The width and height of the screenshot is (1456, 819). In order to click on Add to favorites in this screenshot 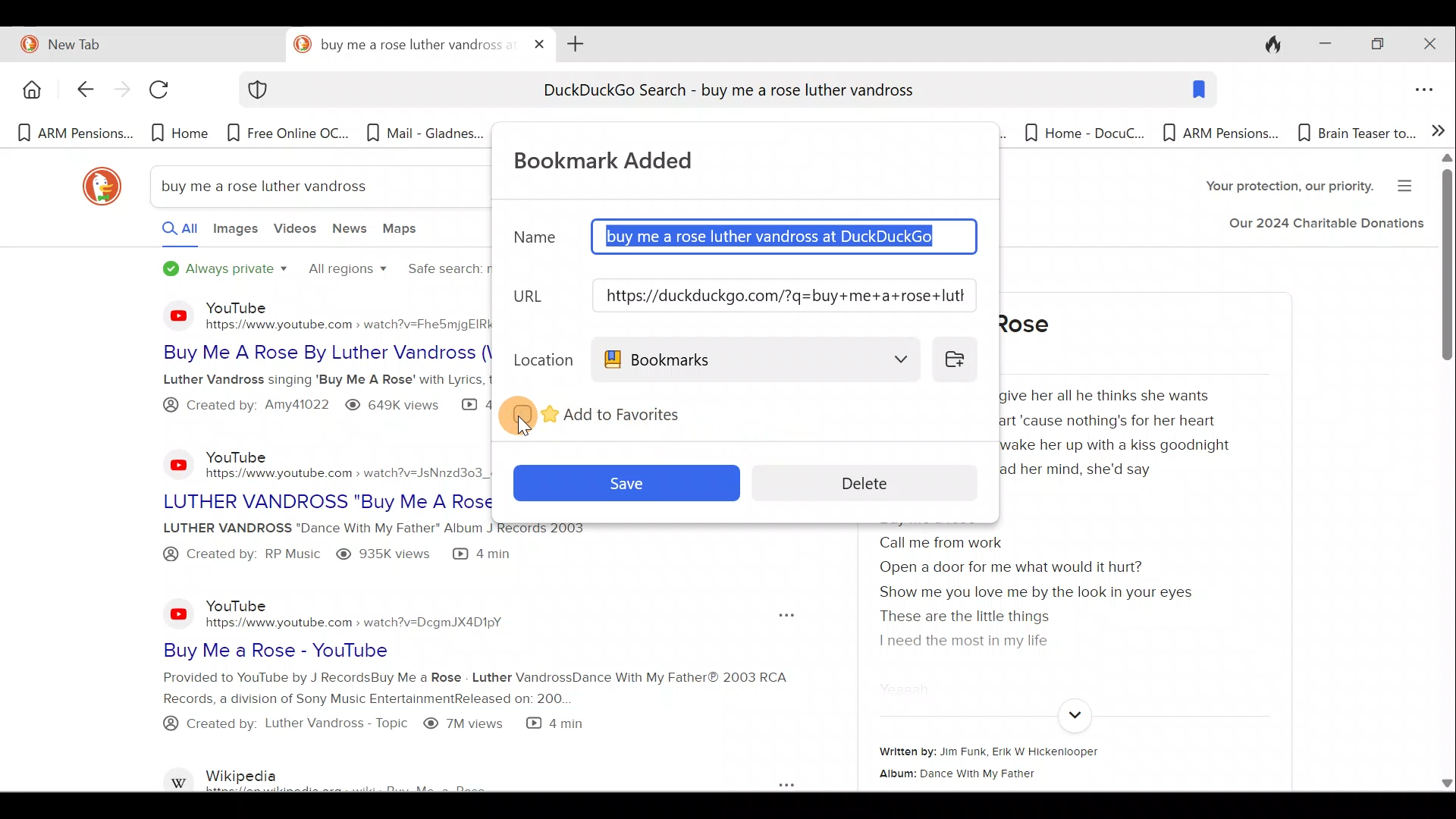, I will do `click(625, 412)`.